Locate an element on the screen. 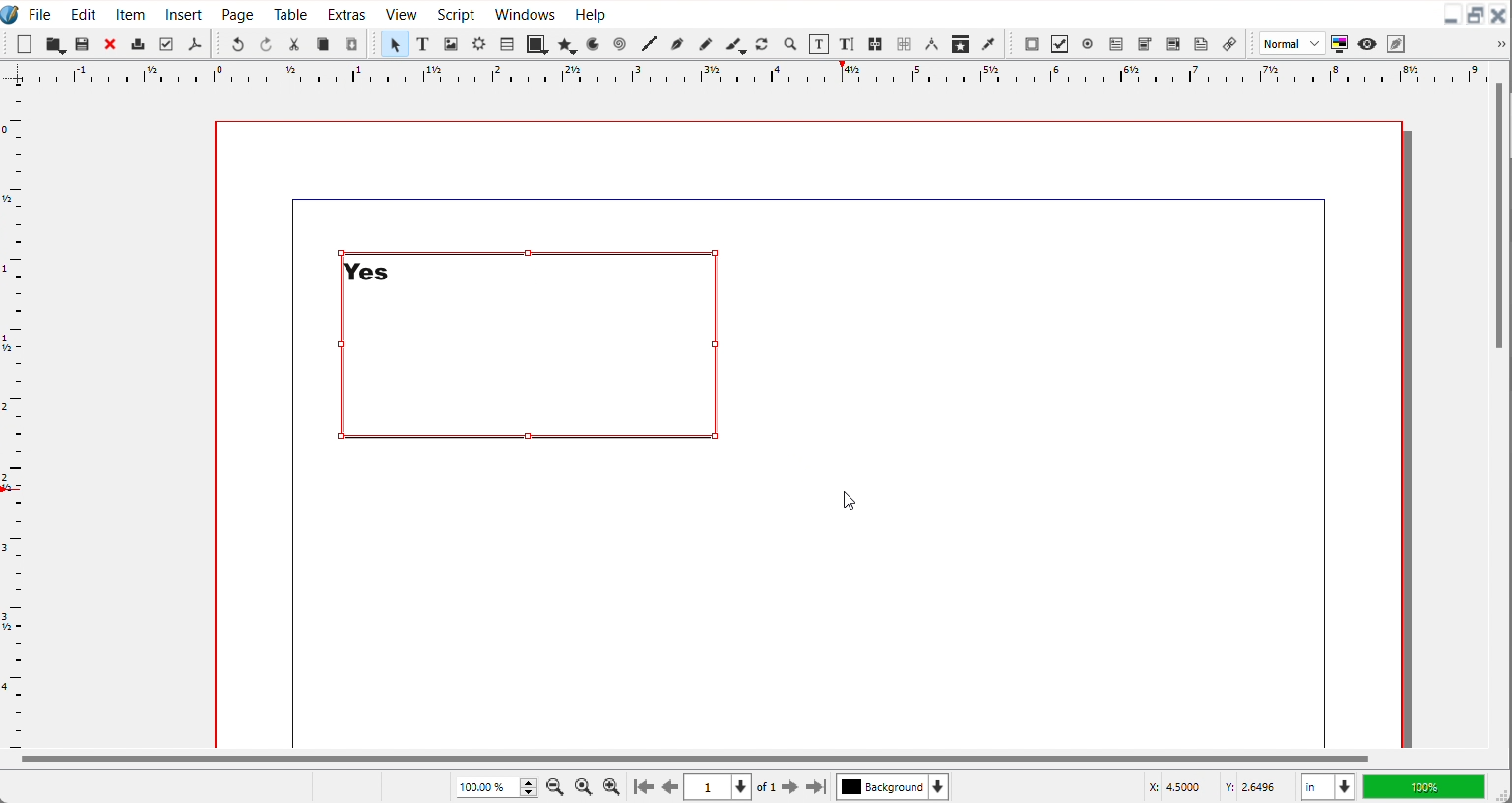 The height and width of the screenshot is (803, 1512). Preview is located at coordinates (1368, 44).